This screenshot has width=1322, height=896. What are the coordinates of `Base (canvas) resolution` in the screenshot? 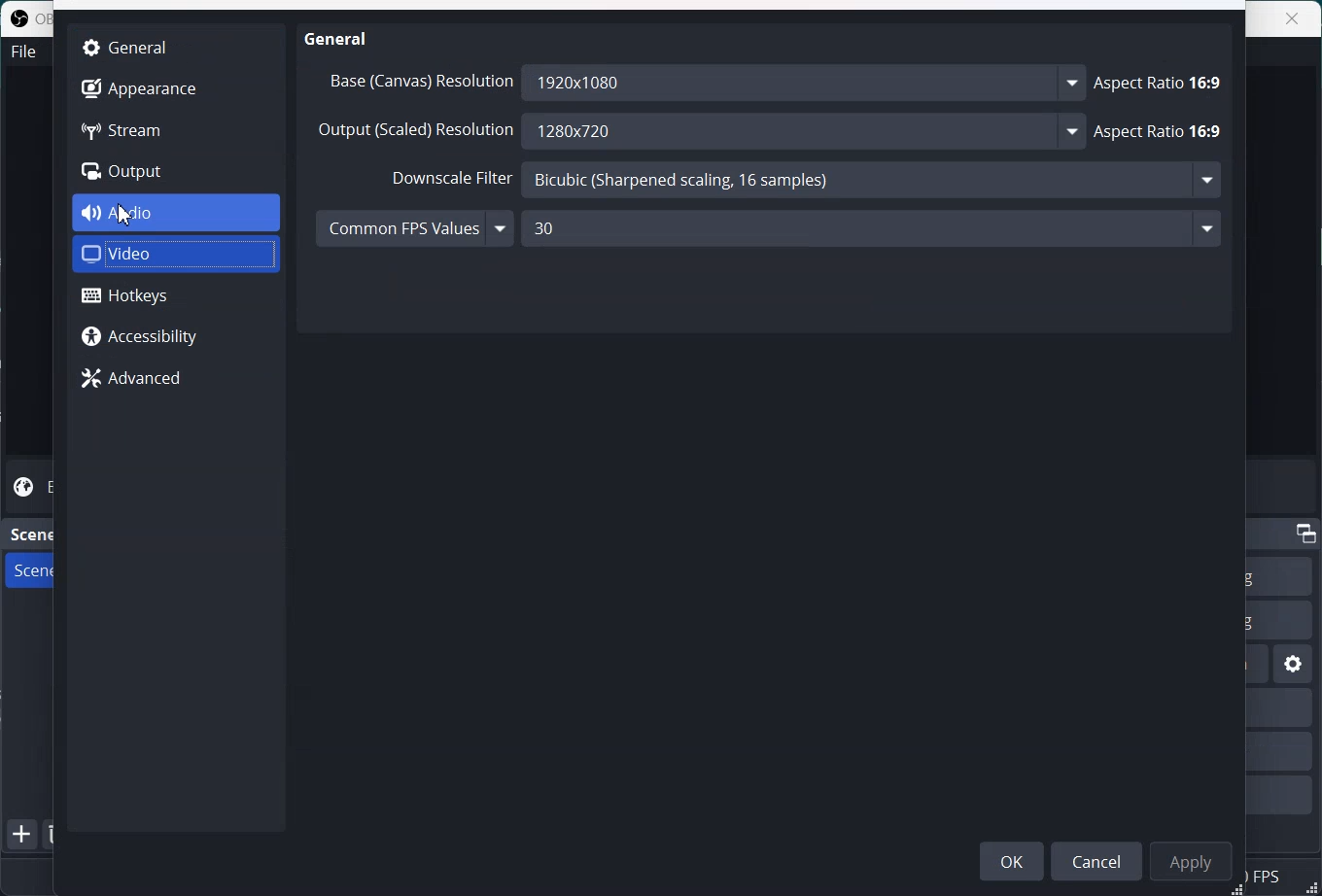 It's located at (417, 84).